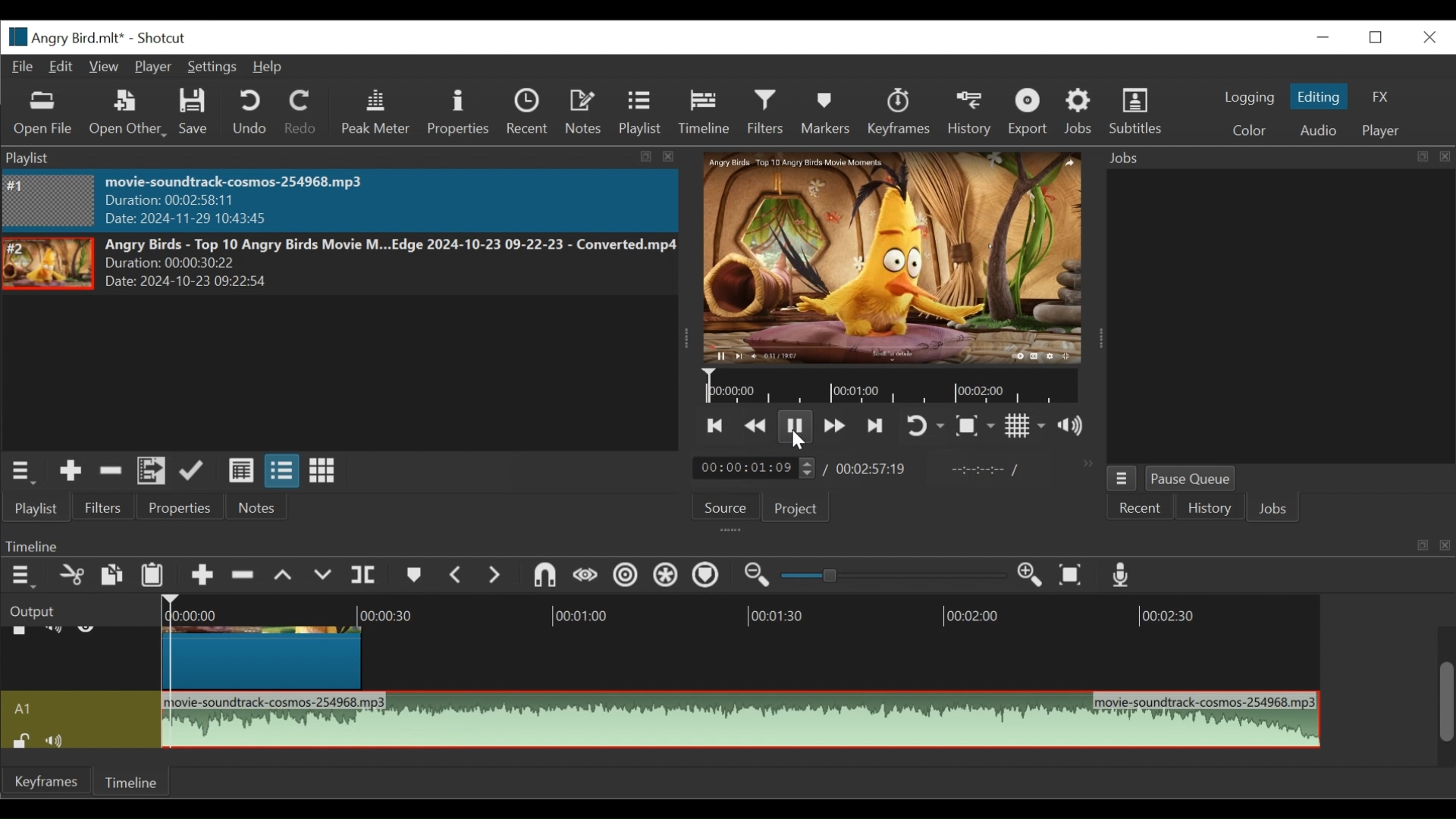  I want to click on Recent, so click(1136, 510).